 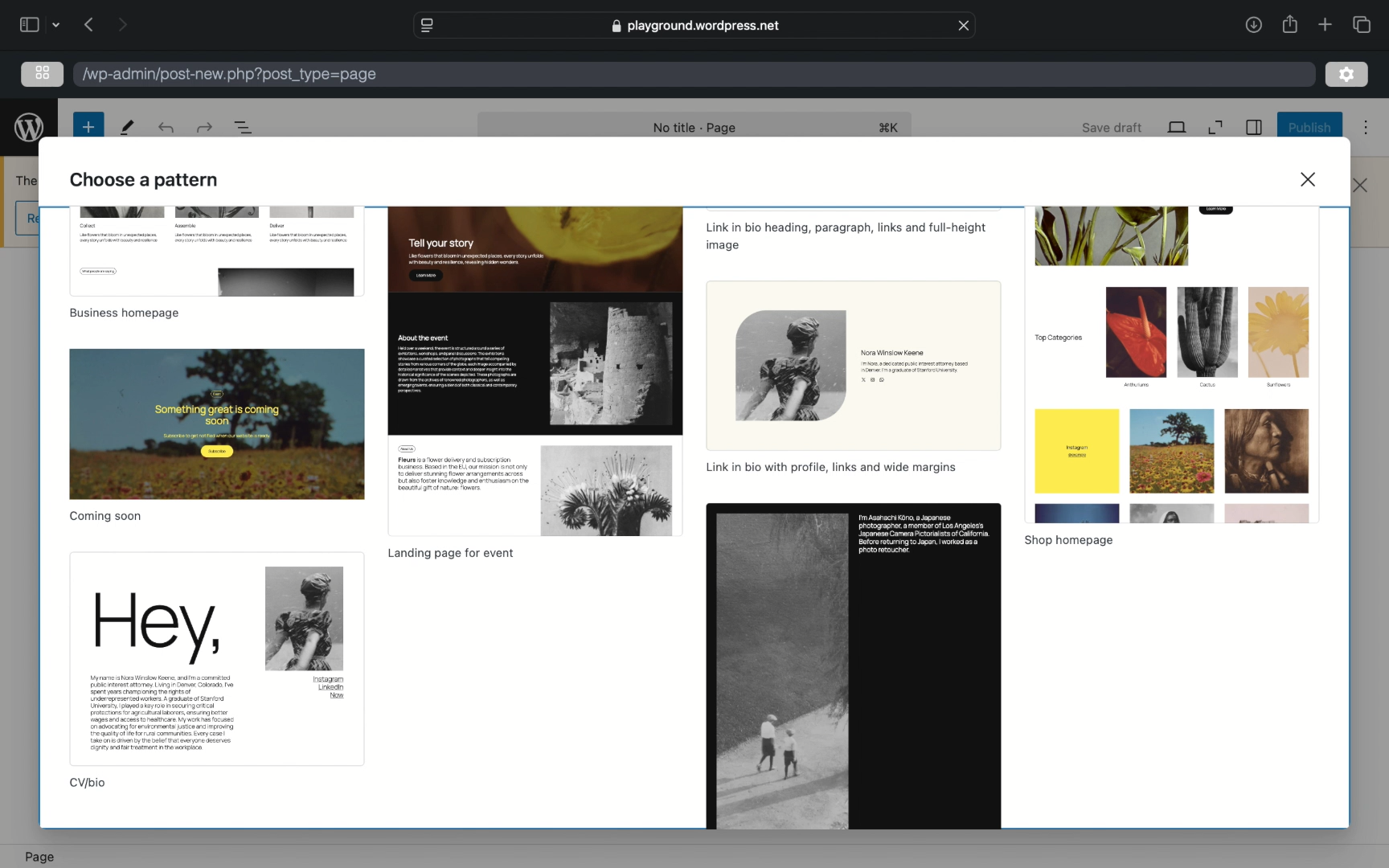 I want to click on view, so click(x=1176, y=126).